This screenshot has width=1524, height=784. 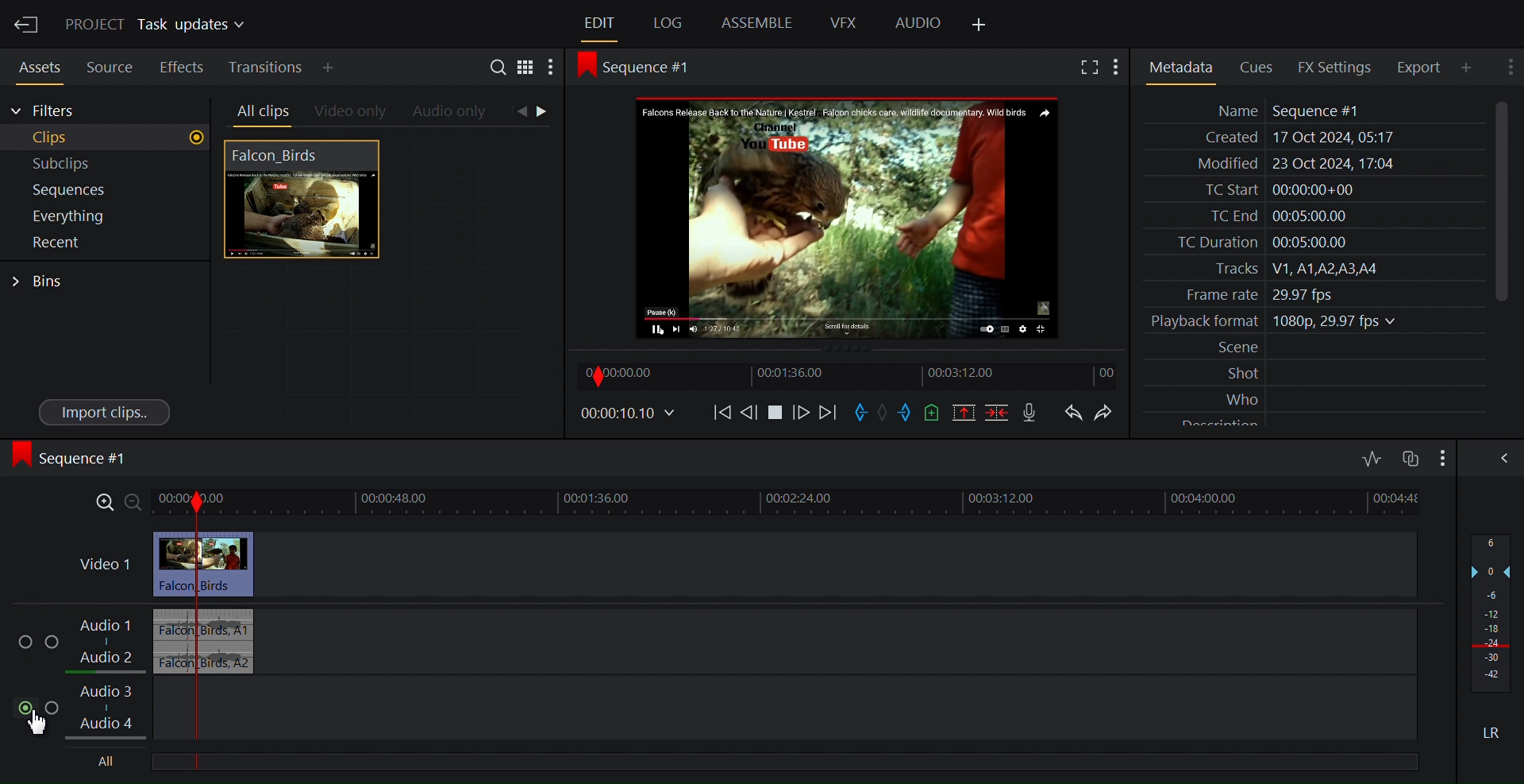 I want to click on Shot, so click(x=1315, y=372).